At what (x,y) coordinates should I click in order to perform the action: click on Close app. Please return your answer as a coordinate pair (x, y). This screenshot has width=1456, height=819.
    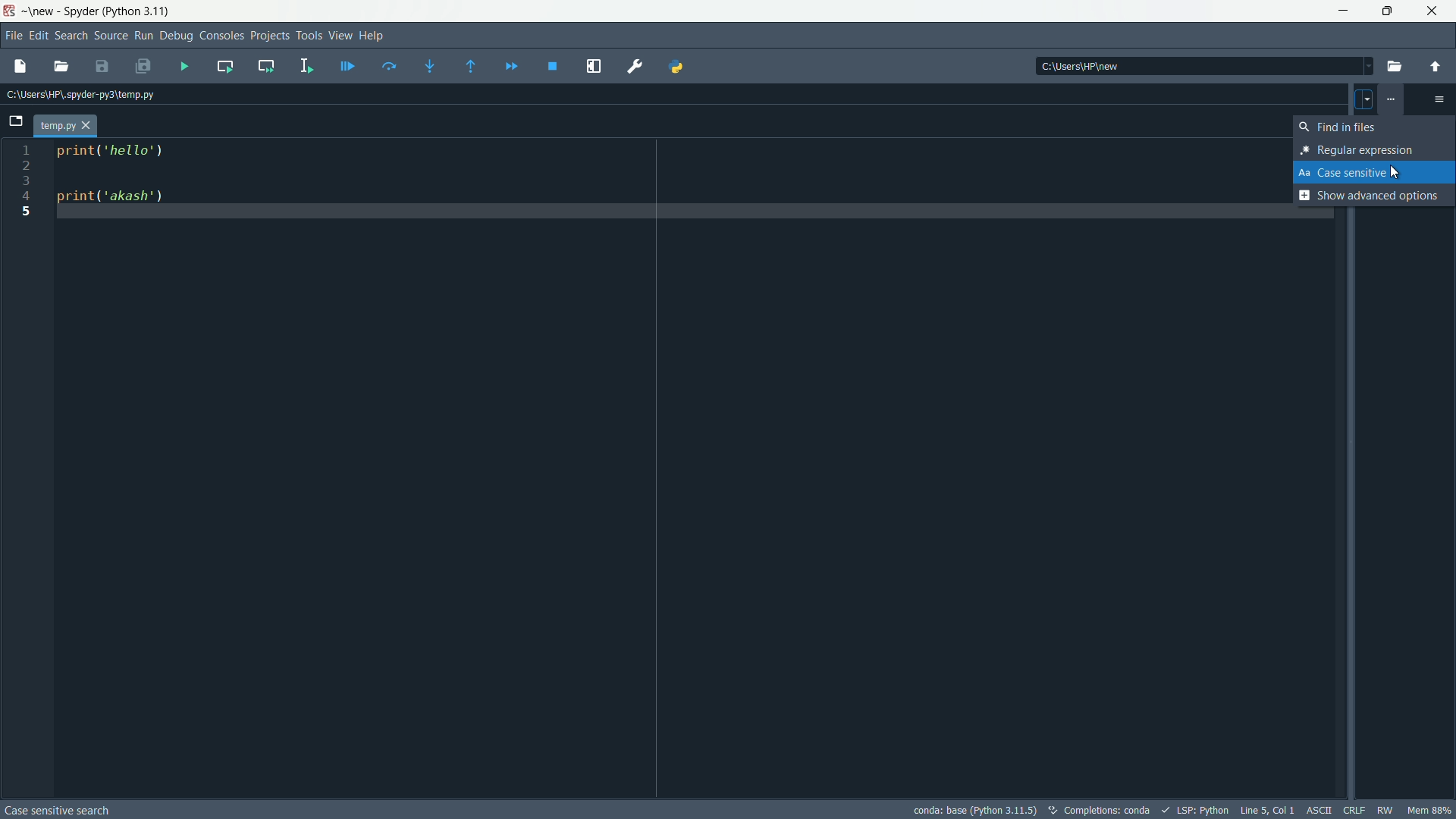
    Looking at the image, I should click on (1432, 11).